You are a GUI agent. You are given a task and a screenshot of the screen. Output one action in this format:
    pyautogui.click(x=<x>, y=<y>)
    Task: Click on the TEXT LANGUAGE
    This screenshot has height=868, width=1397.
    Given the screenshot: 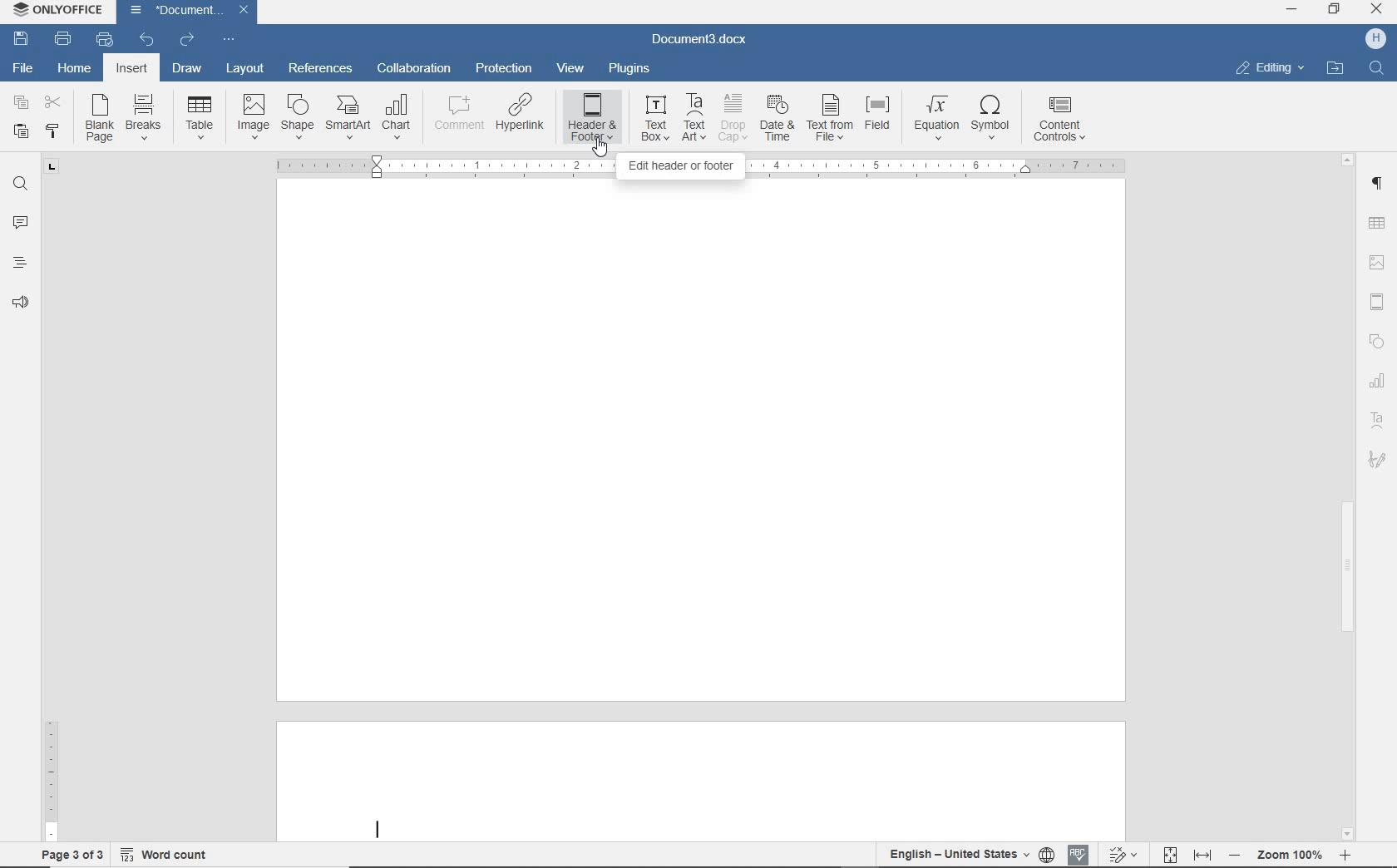 What is the action you would take?
    pyautogui.click(x=958, y=855)
    